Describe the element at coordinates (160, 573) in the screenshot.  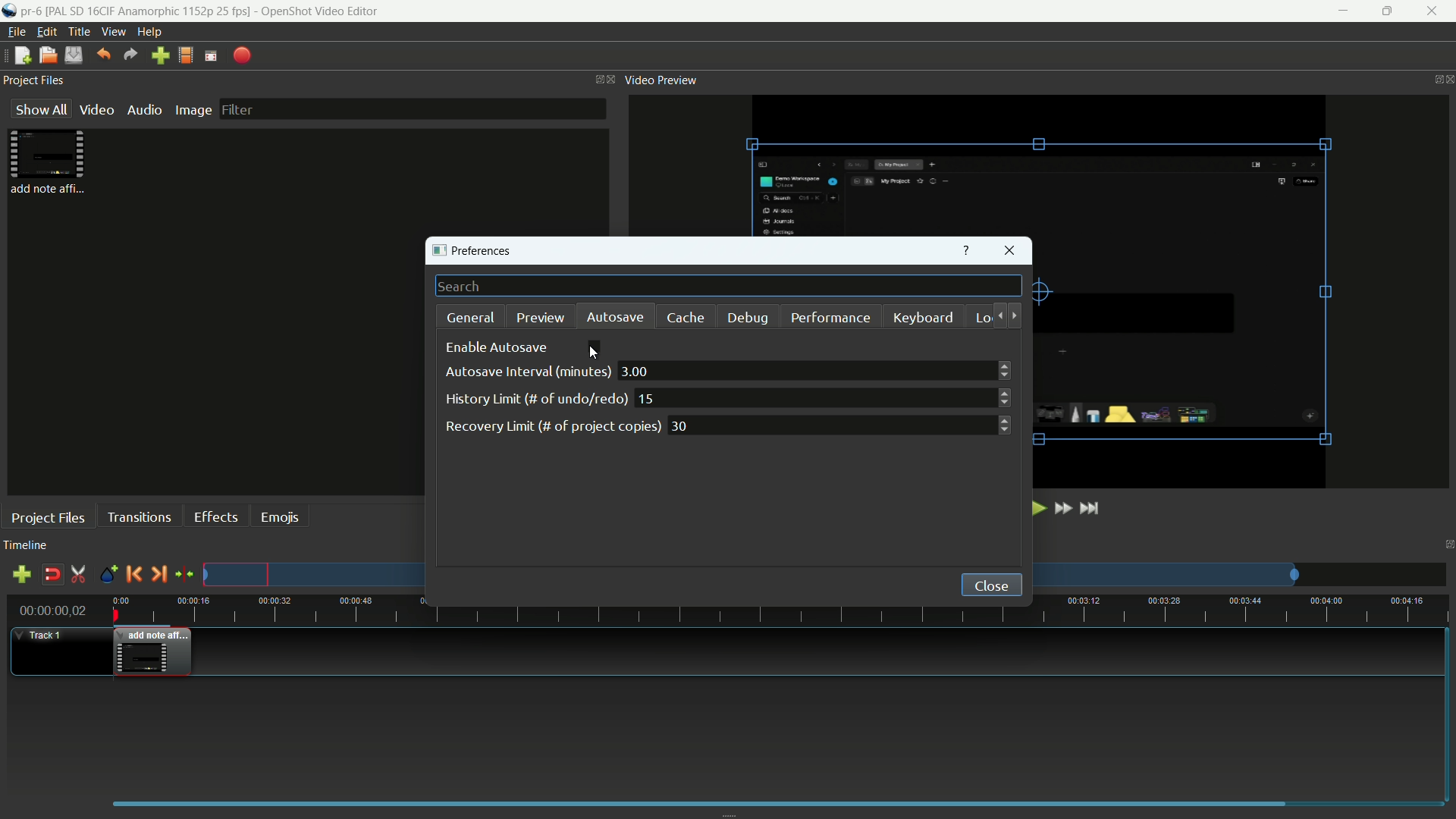
I see `next marker` at that location.